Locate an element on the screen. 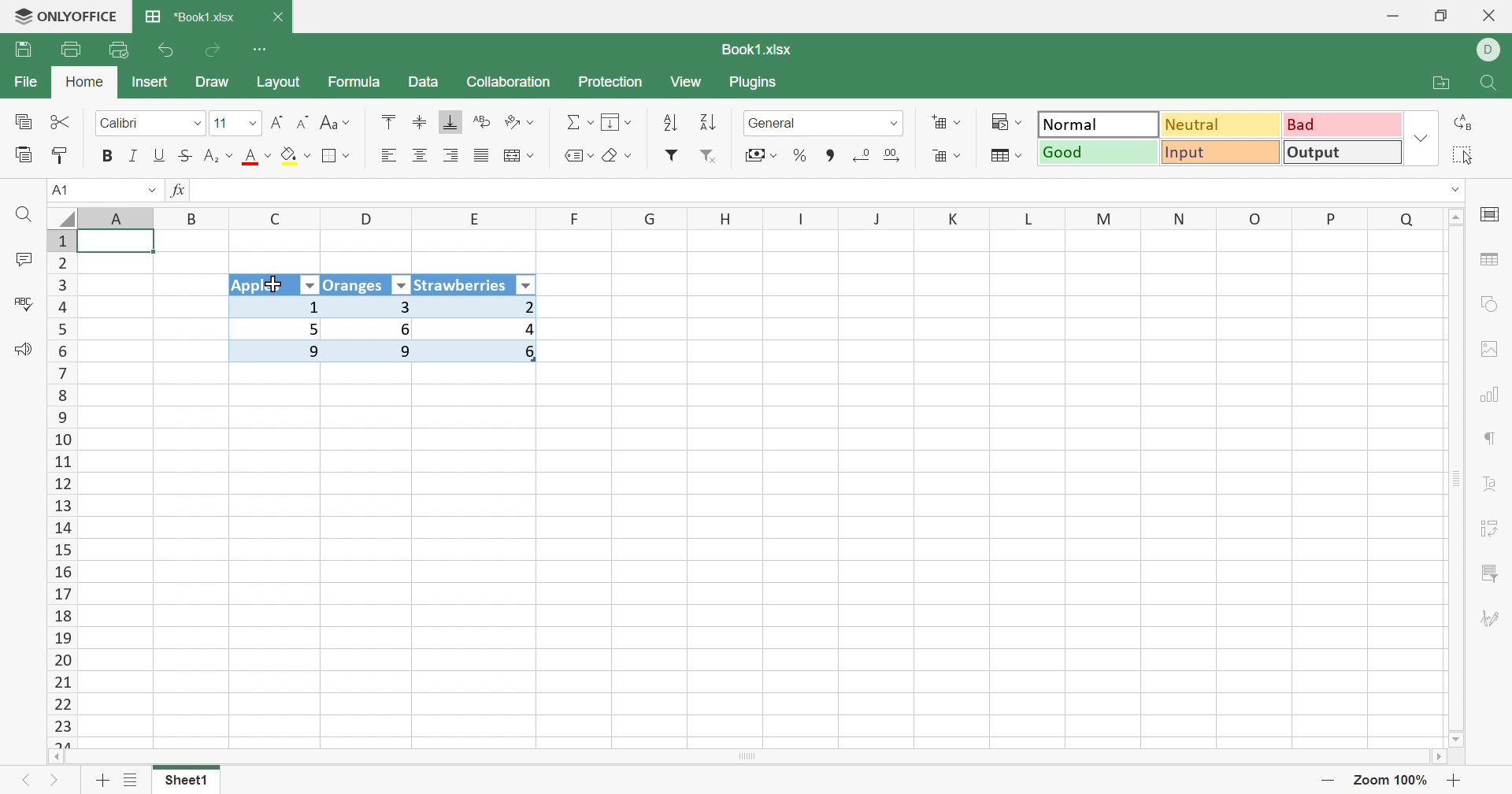  J is located at coordinates (879, 219).